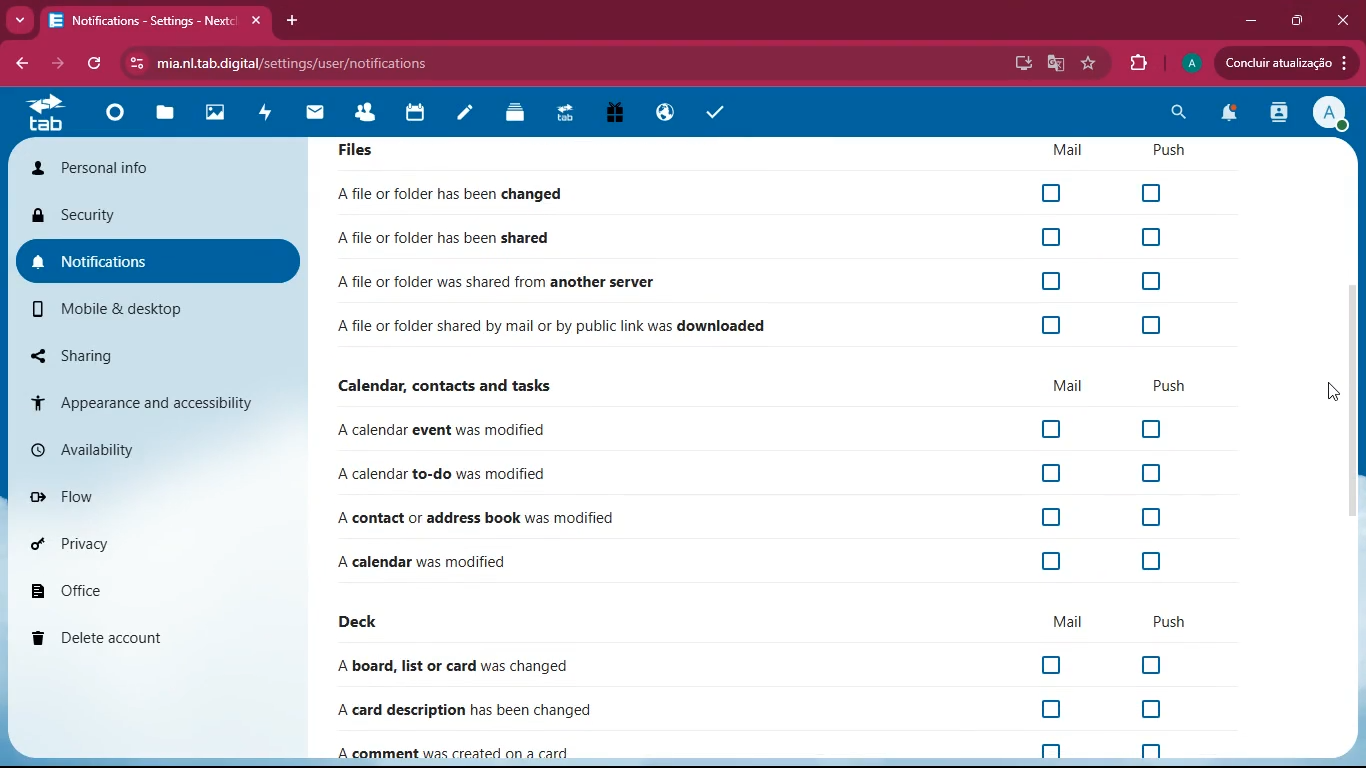 This screenshot has height=768, width=1366. What do you see at coordinates (457, 193) in the screenshot?
I see `file changed` at bounding box center [457, 193].